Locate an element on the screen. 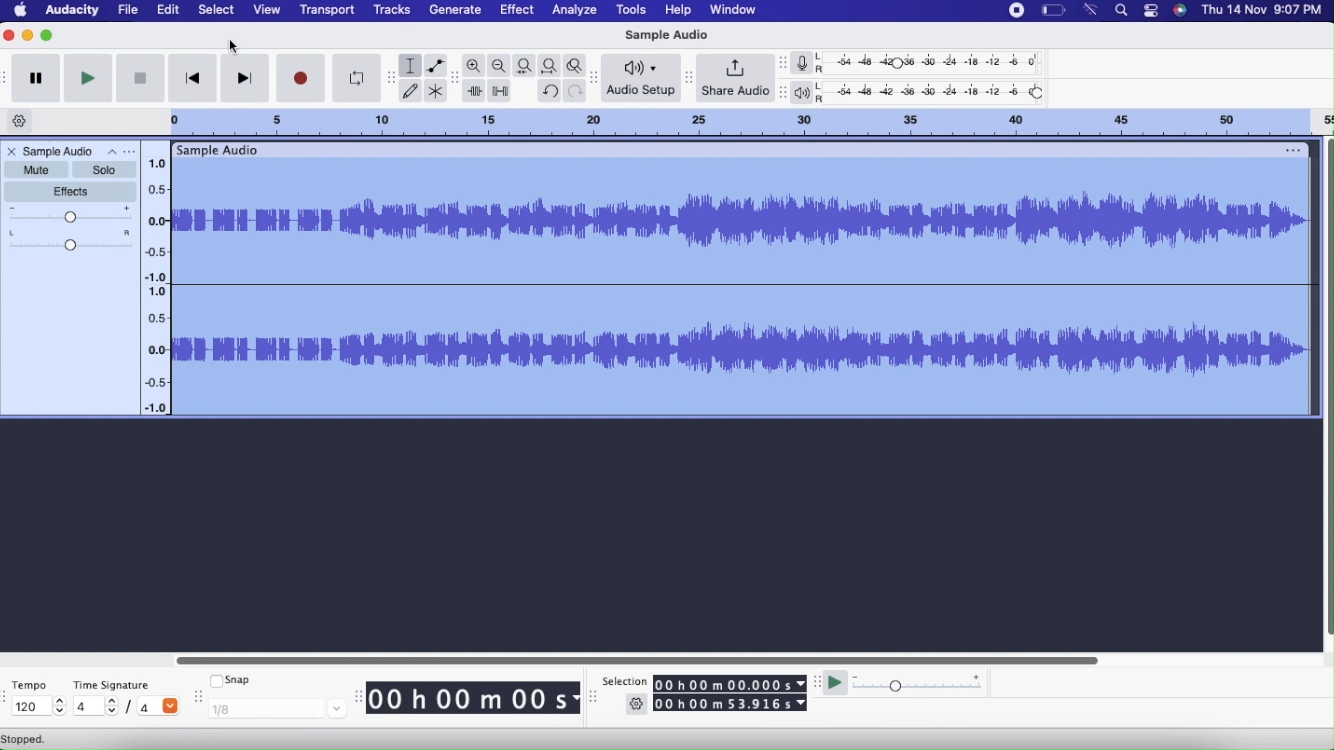  Tracks is located at coordinates (391, 10).